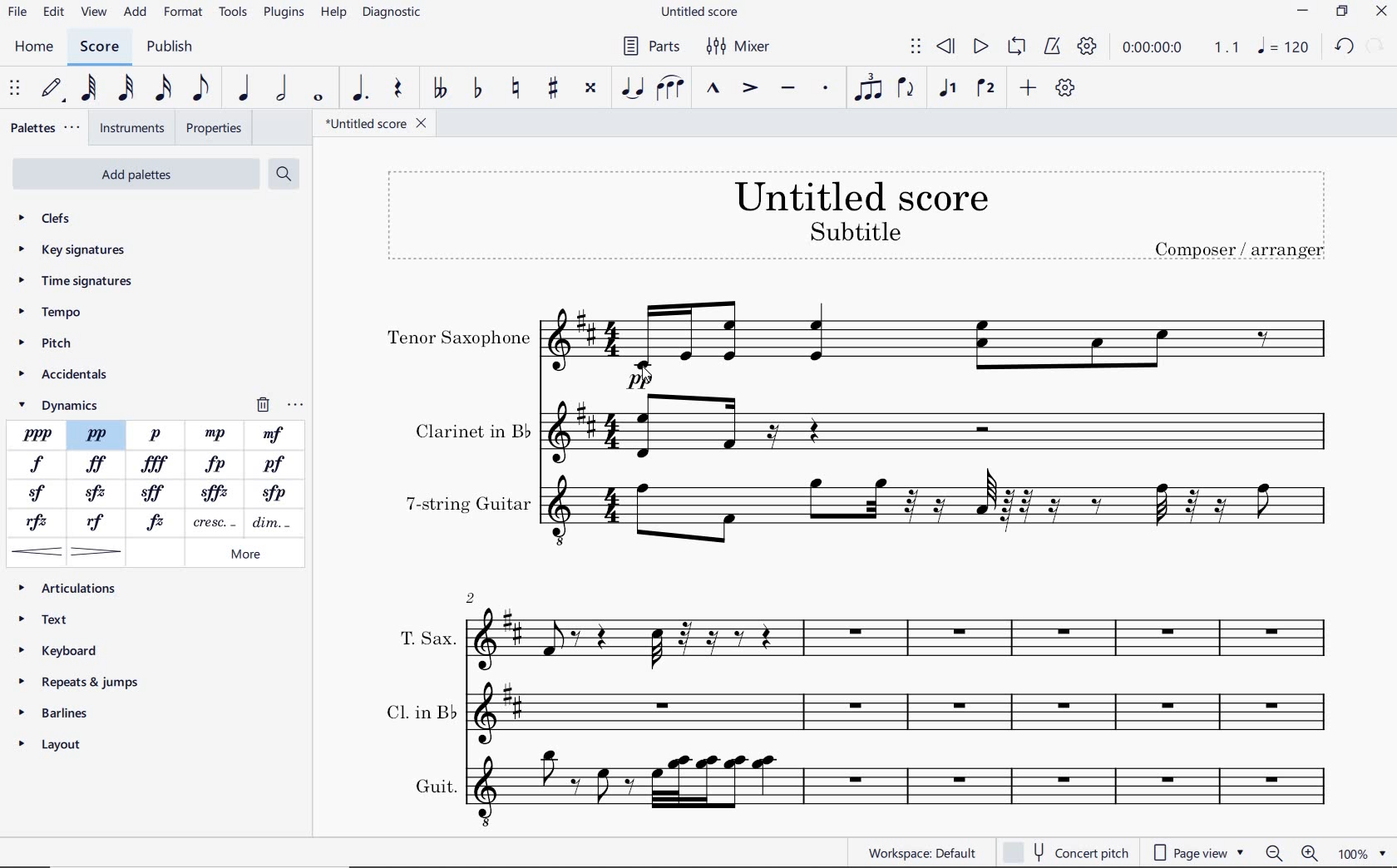 This screenshot has height=868, width=1397. Describe the element at coordinates (739, 47) in the screenshot. I see `MIXER` at that location.